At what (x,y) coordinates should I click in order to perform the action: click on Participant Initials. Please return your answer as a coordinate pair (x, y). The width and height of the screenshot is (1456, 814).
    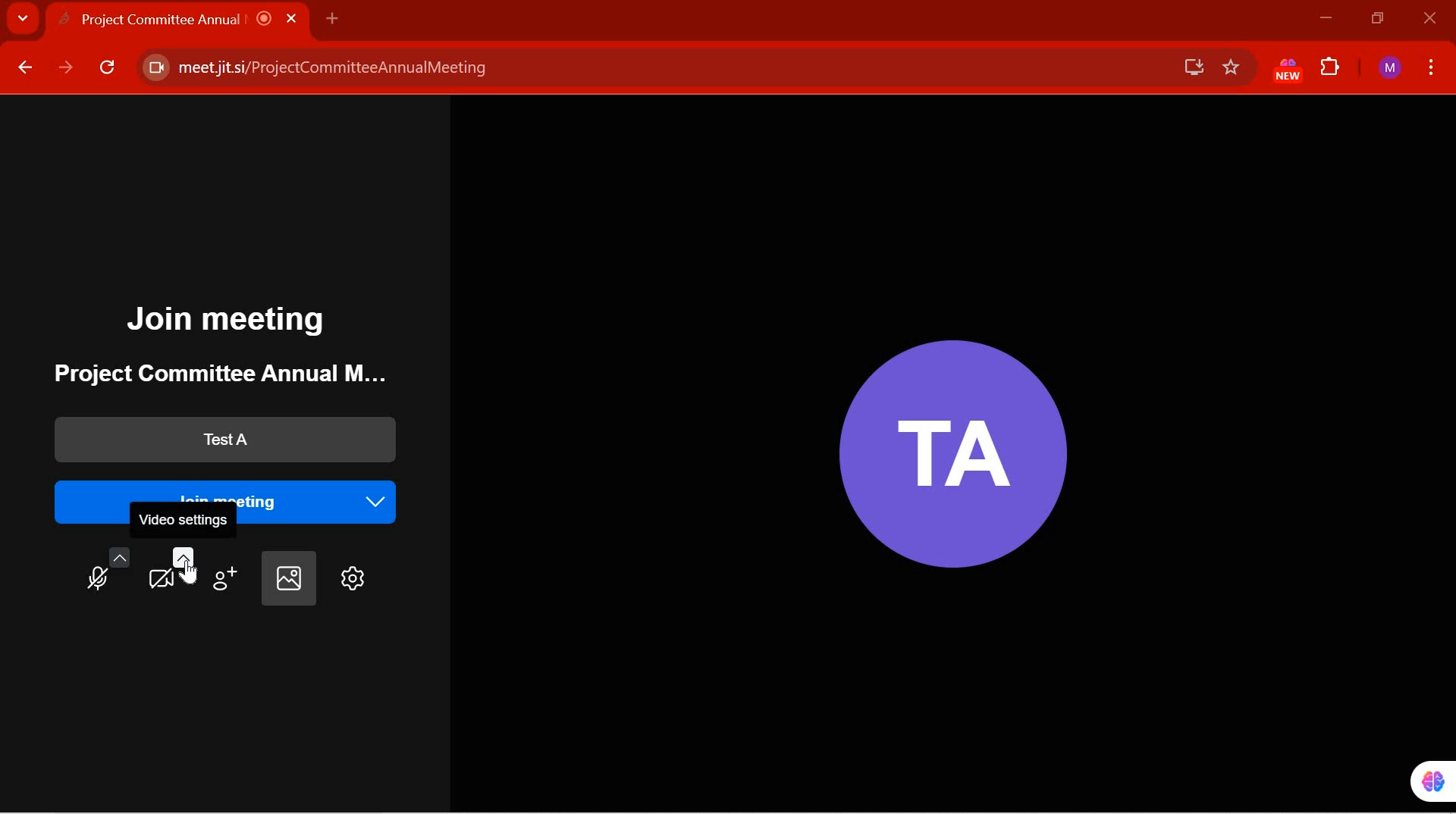
    Looking at the image, I should click on (945, 443).